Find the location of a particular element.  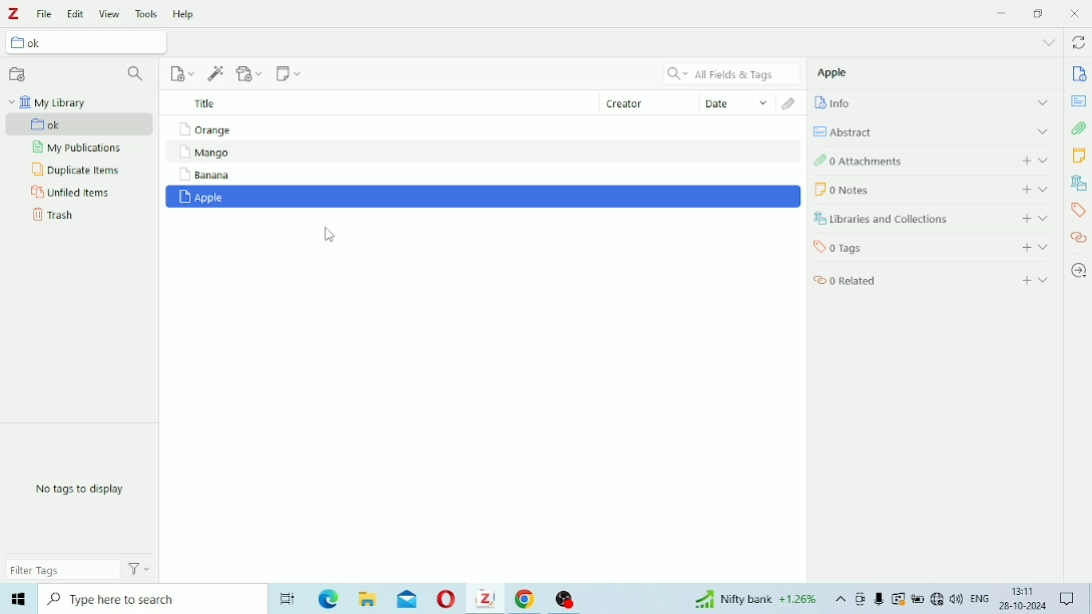

close is located at coordinates (1078, 13).